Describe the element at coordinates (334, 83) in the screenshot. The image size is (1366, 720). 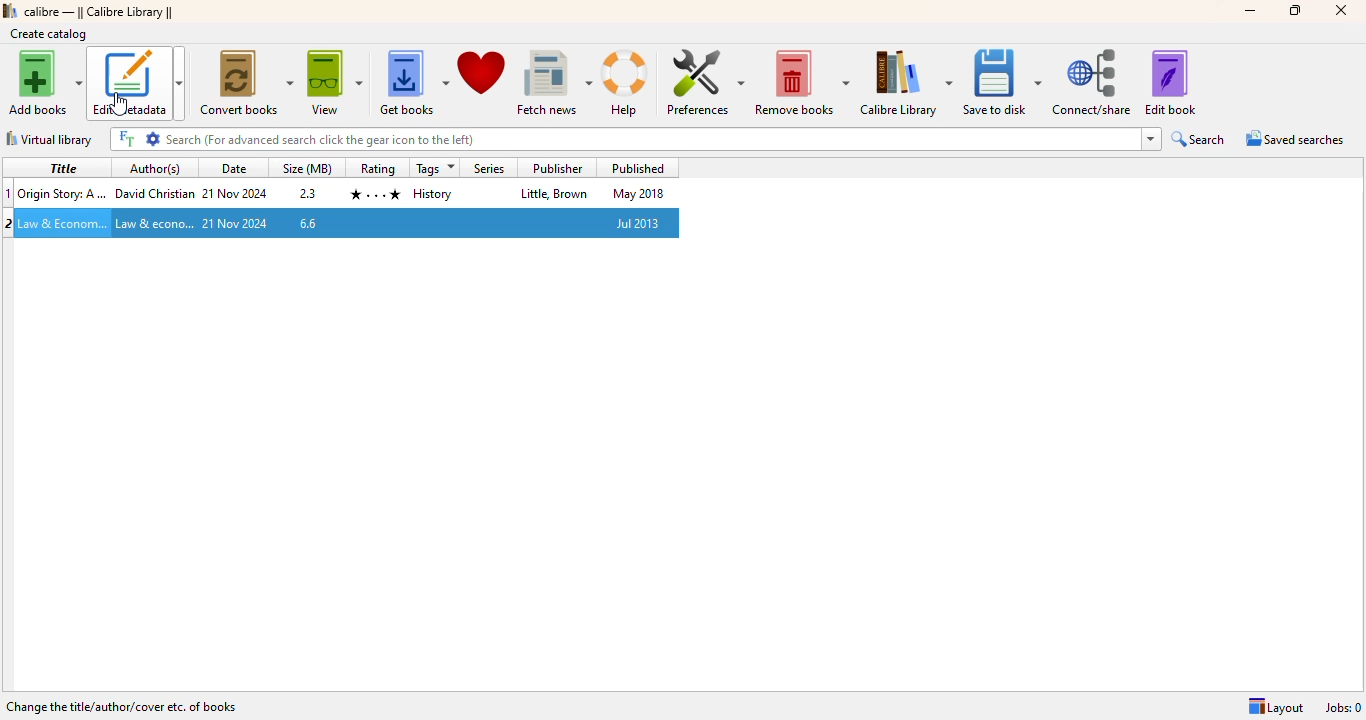
I see `view` at that location.